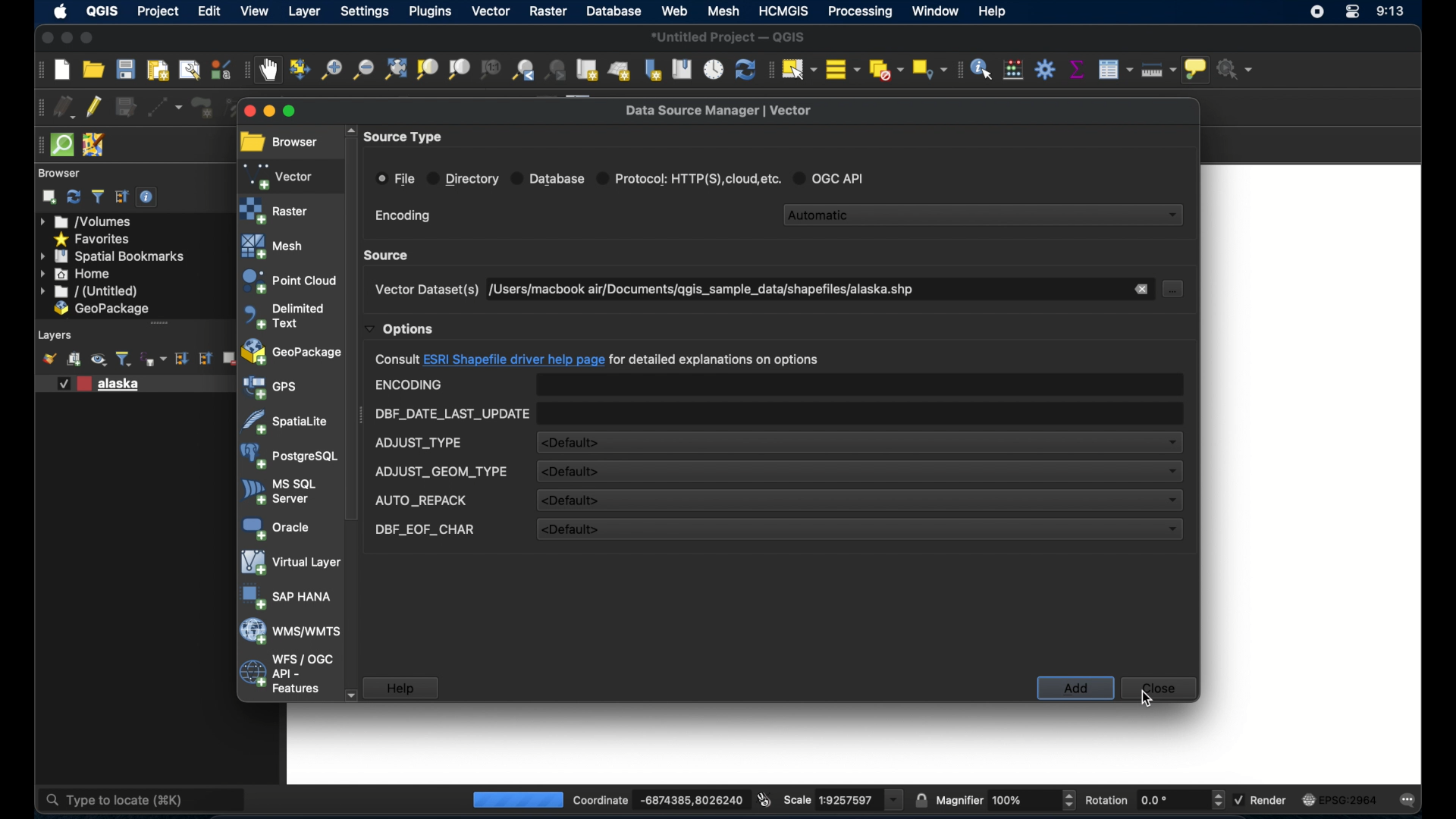  What do you see at coordinates (127, 71) in the screenshot?
I see `save project` at bounding box center [127, 71].